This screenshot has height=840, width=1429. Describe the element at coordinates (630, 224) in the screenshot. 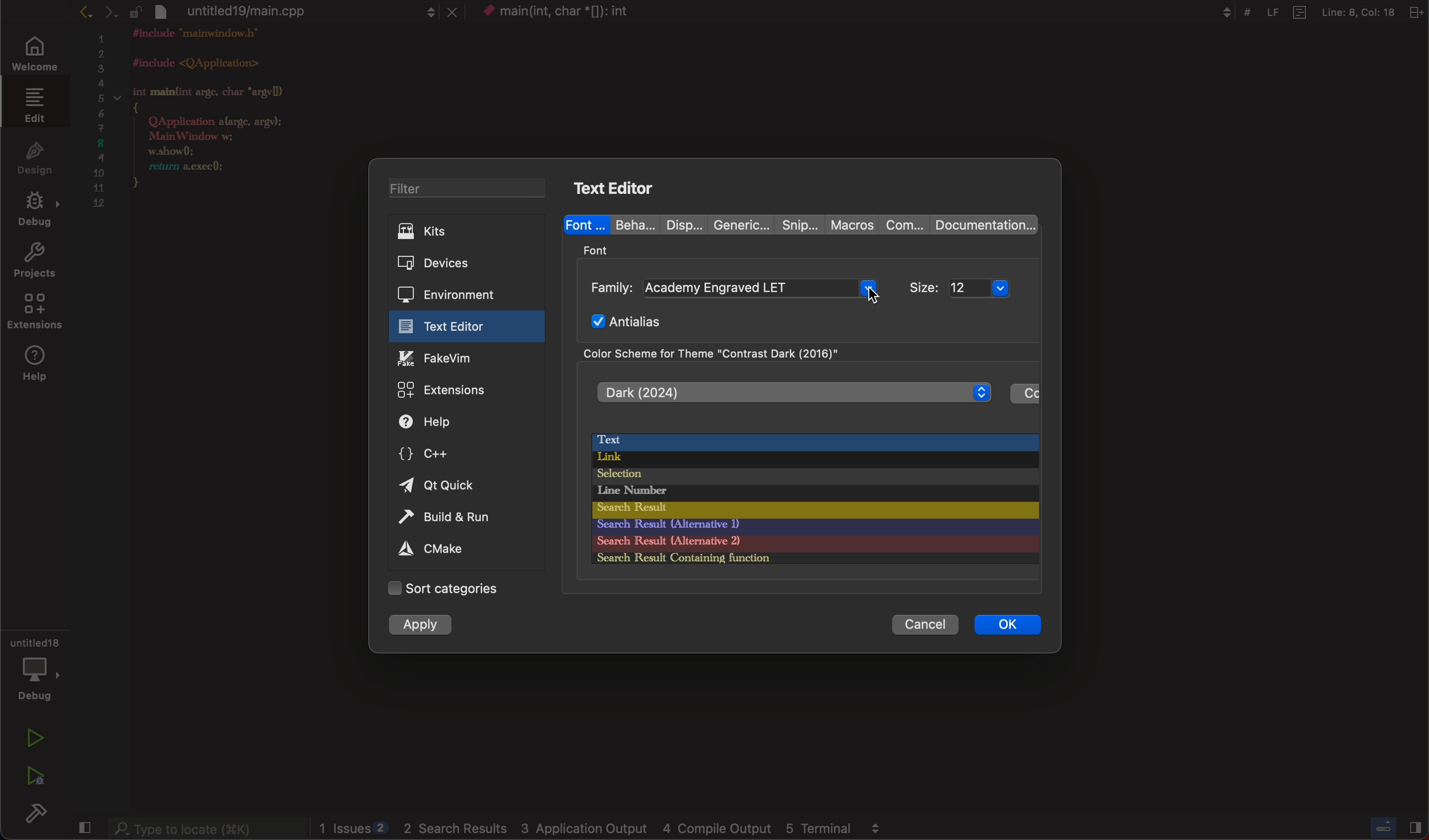

I see `beha` at that location.